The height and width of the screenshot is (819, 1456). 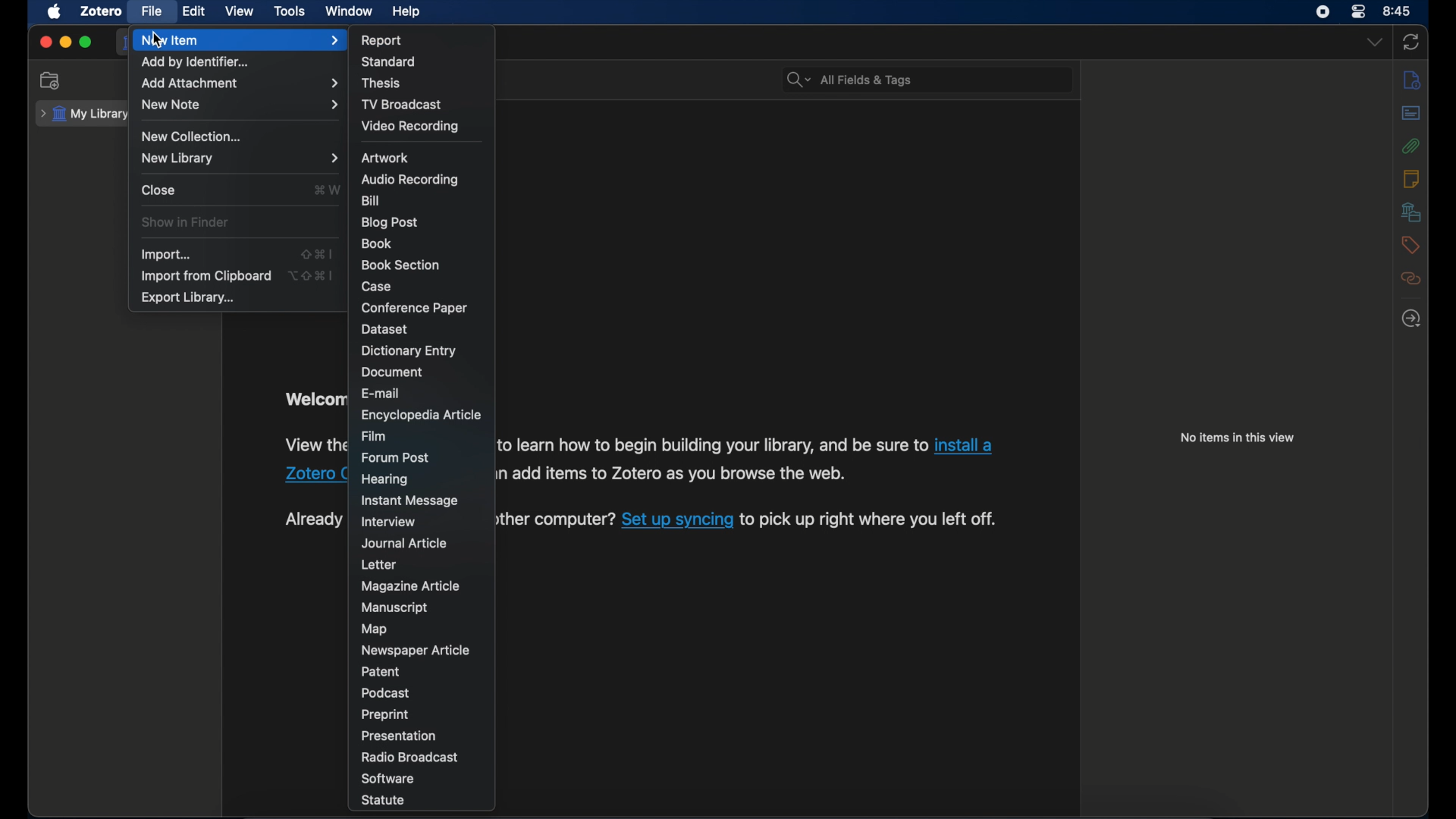 What do you see at coordinates (196, 64) in the screenshot?
I see `add by identifier` at bounding box center [196, 64].